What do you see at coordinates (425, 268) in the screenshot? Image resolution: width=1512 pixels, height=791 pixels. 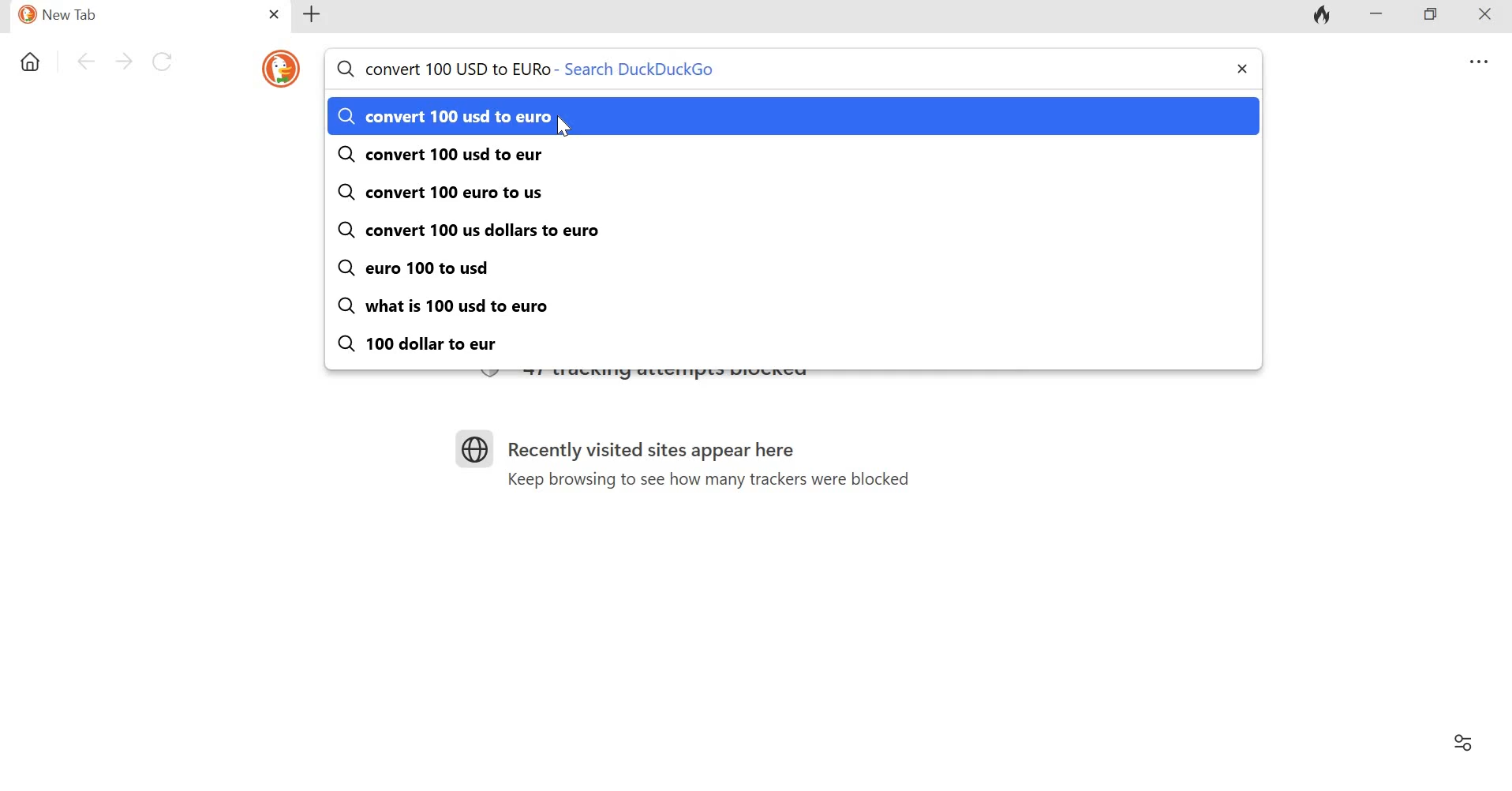 I see `euro 100 to usd` at bounding box center [425, 268].